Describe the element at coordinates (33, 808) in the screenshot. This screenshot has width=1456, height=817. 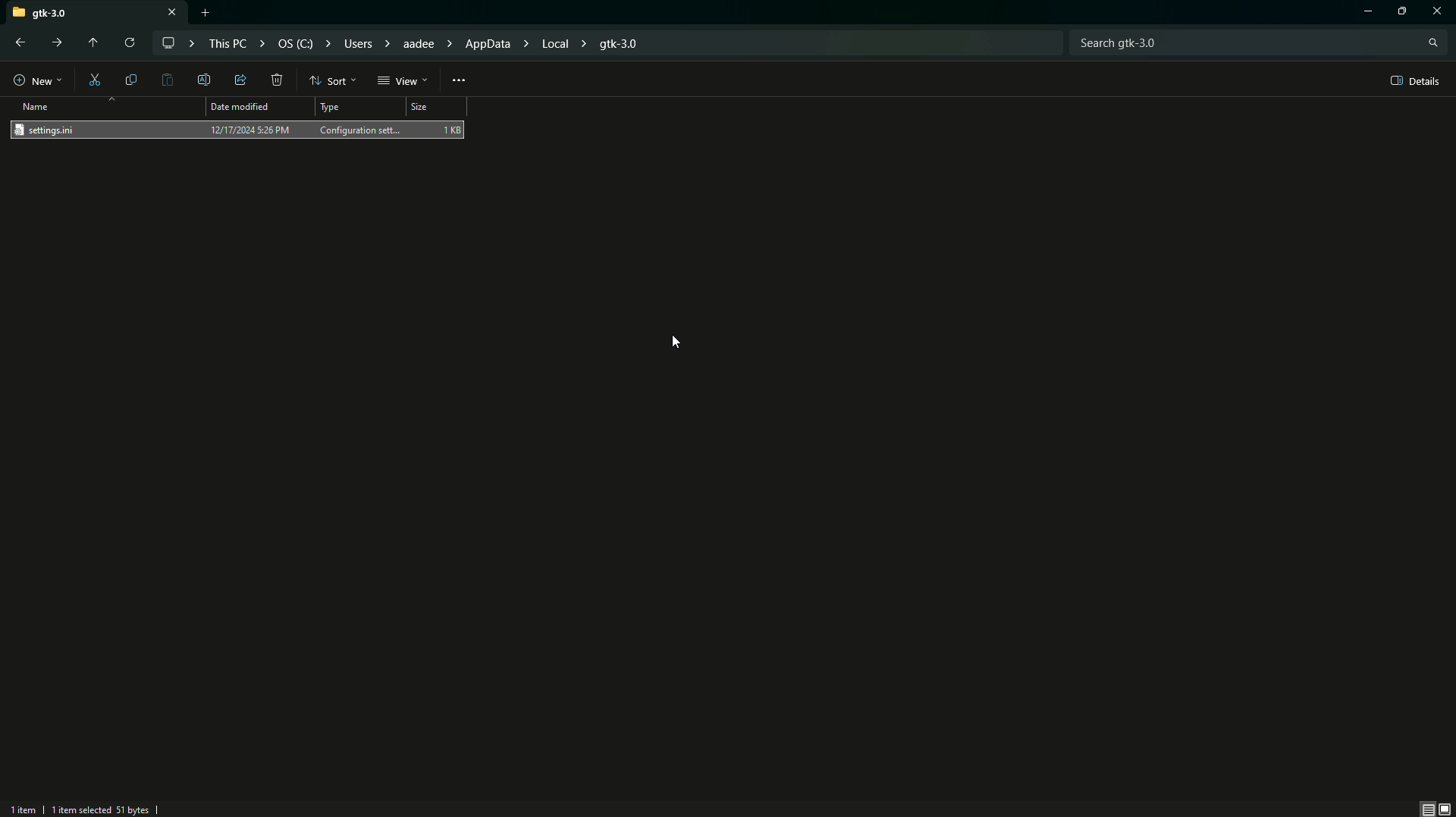
I see `0 Items` at that location.